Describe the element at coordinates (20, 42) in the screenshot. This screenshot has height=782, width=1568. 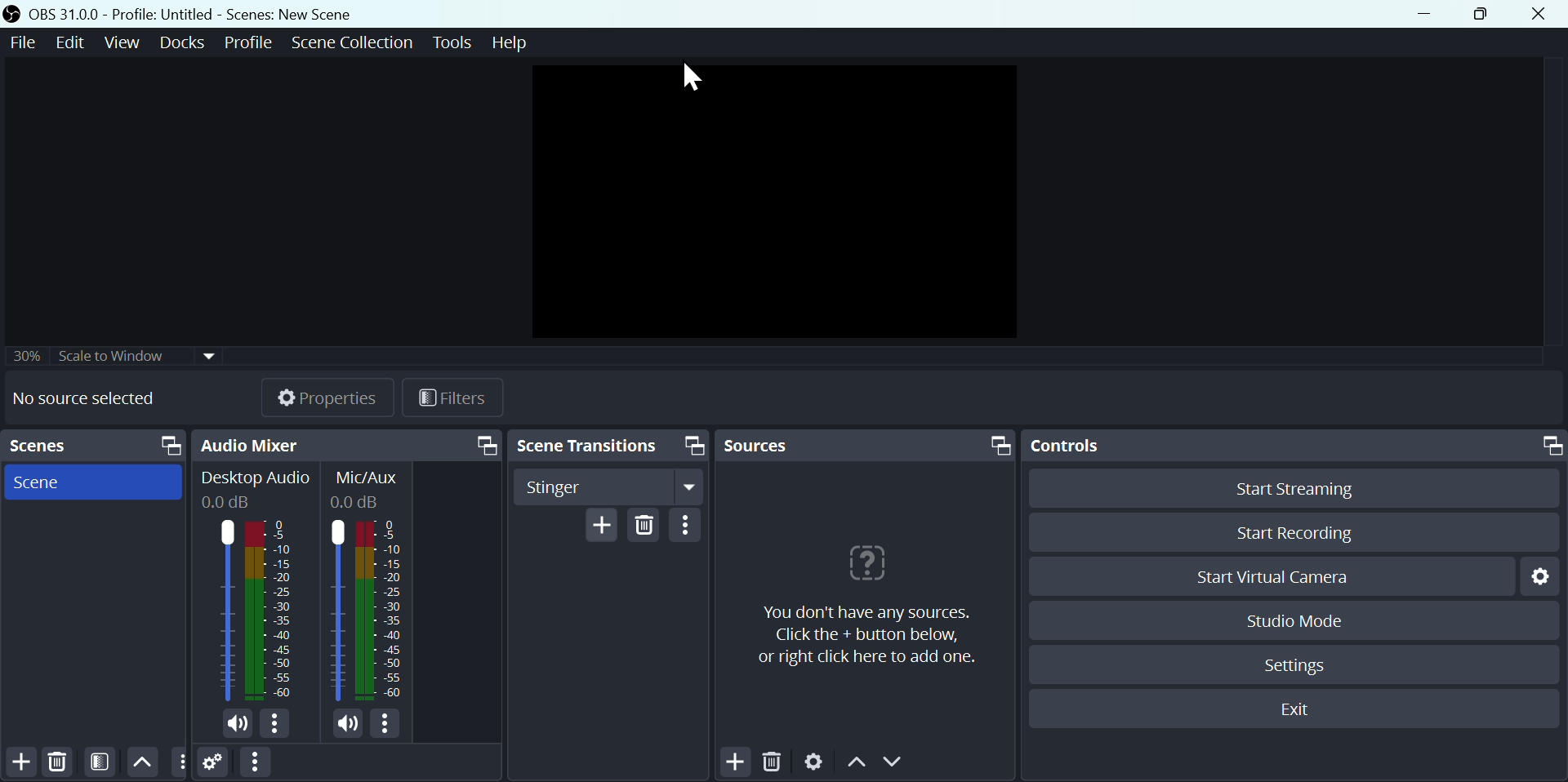
I see `` at that location.